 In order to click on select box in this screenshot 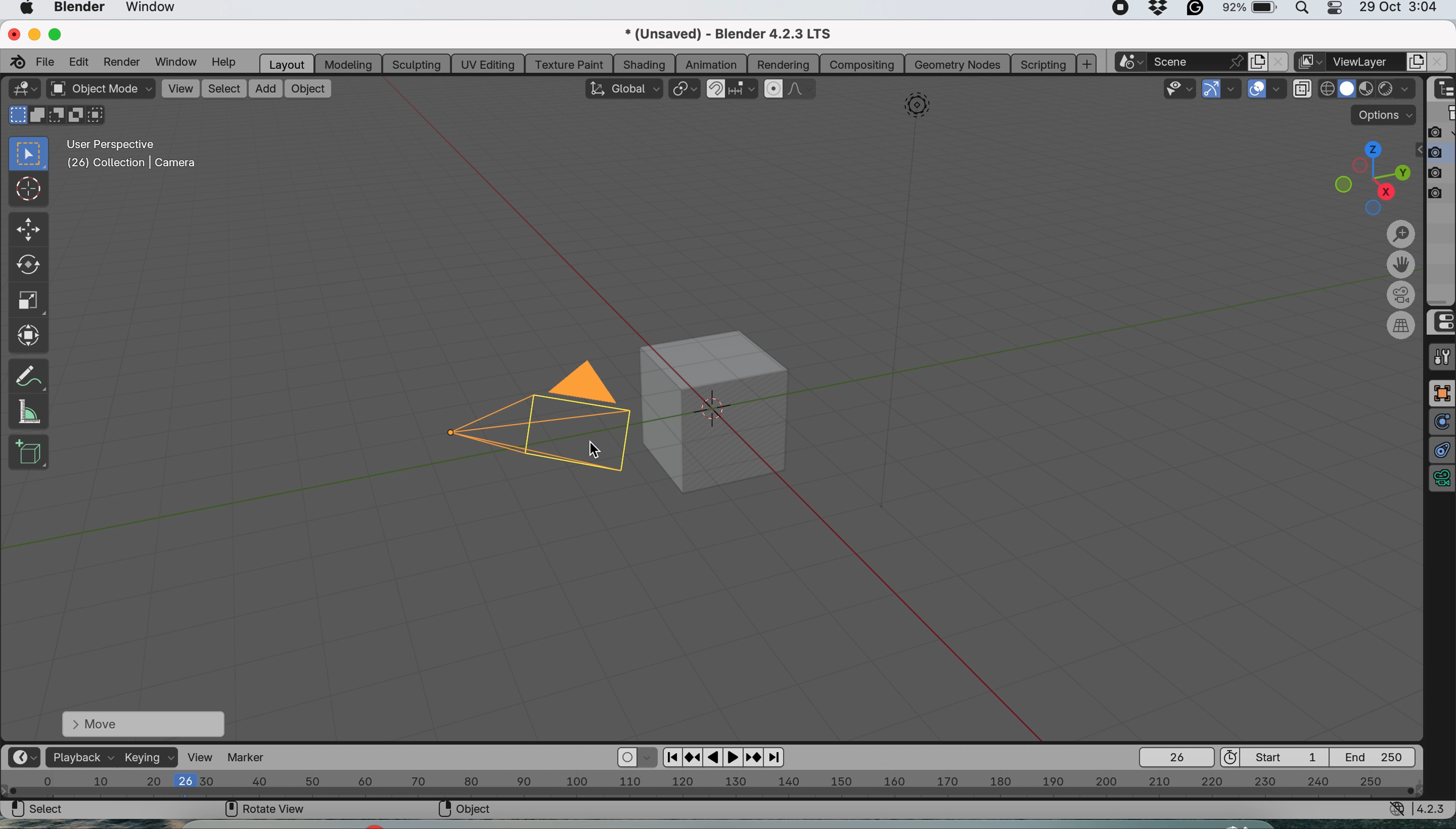, I will do `click(26, 154)`.